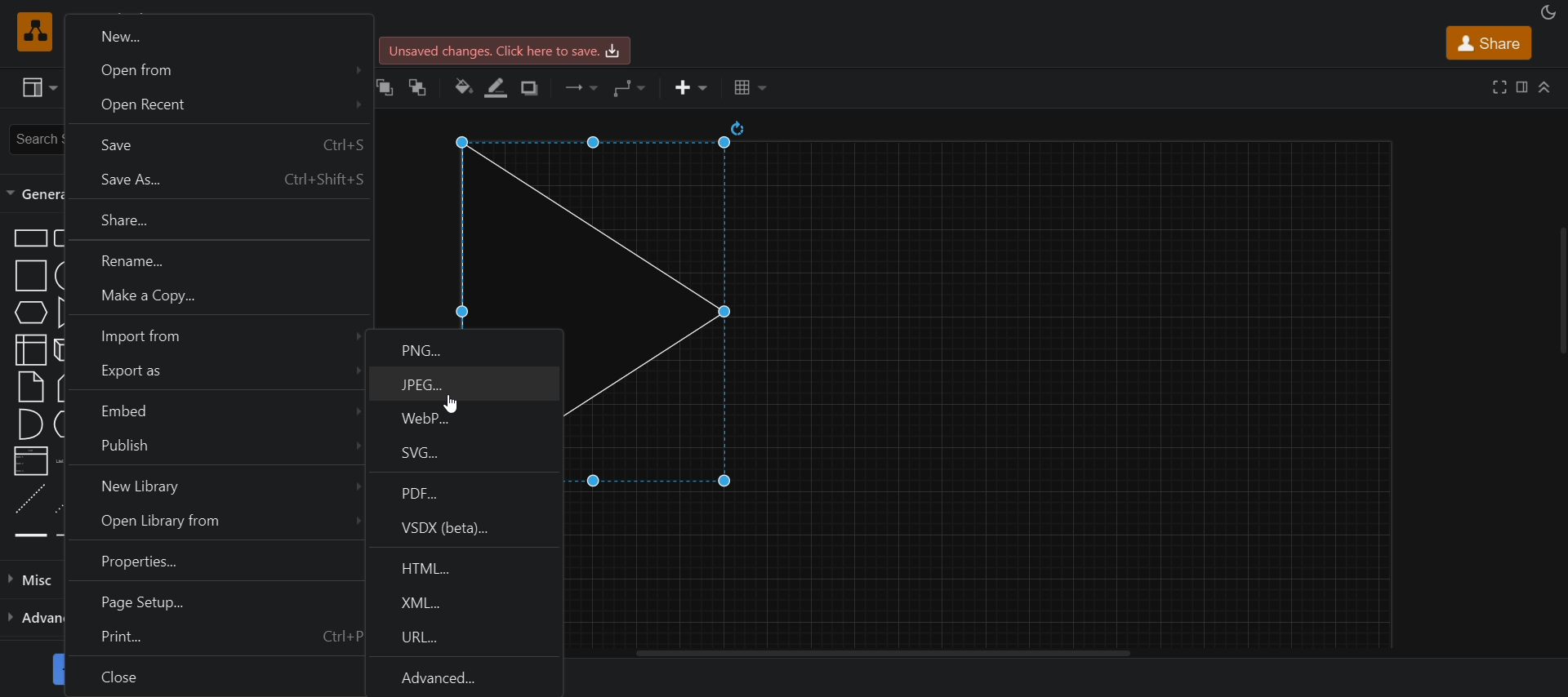 The height and width of the screenshot is (697, 1568). What do you see at coordinates (532, 89) in the screenshot?
I see `shadow` at bounding box center [532, 89].